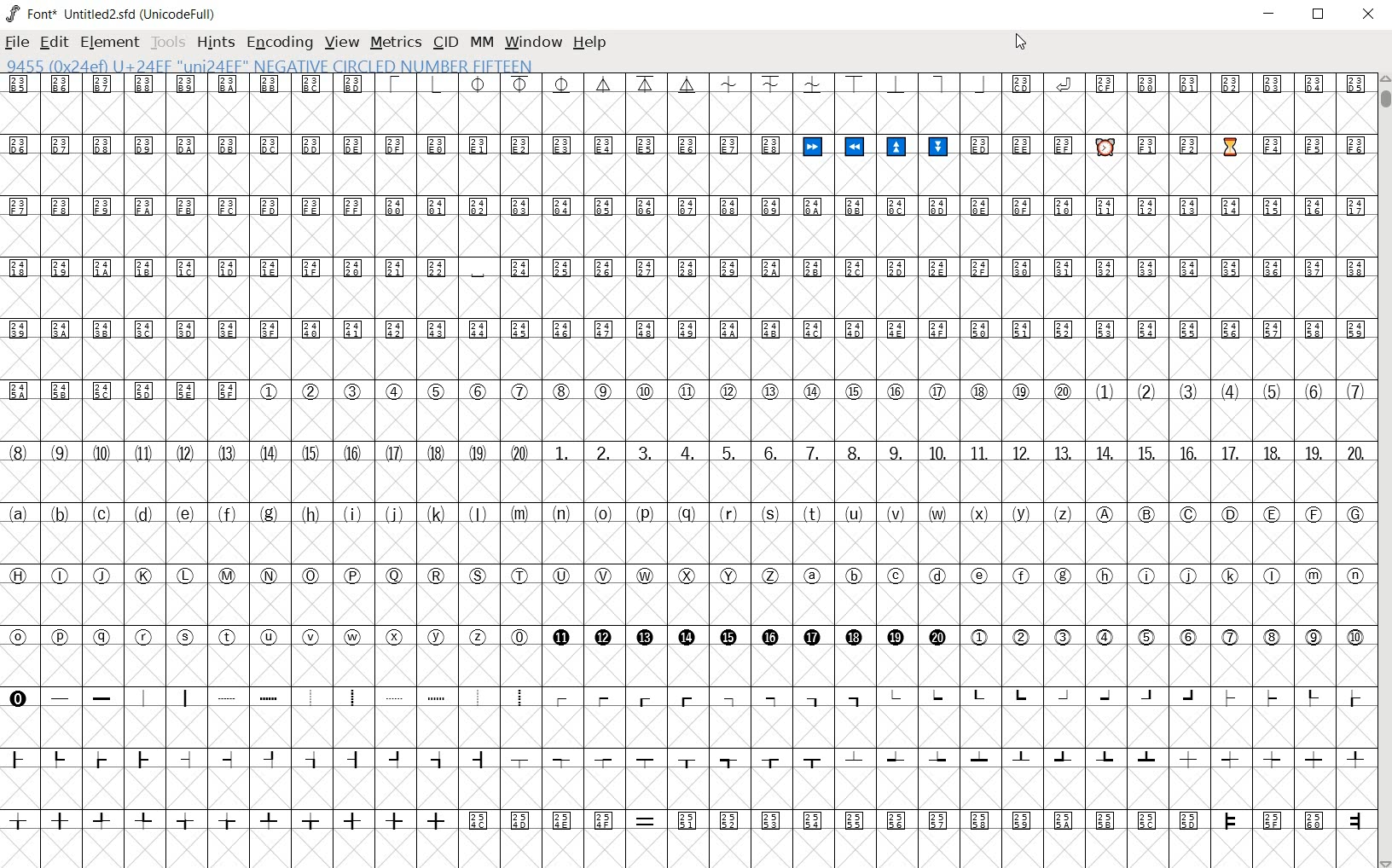  What do you see at coordinates (56, 42) in the screenshot?
I see `EDIT` at bounding box center [56, 42].